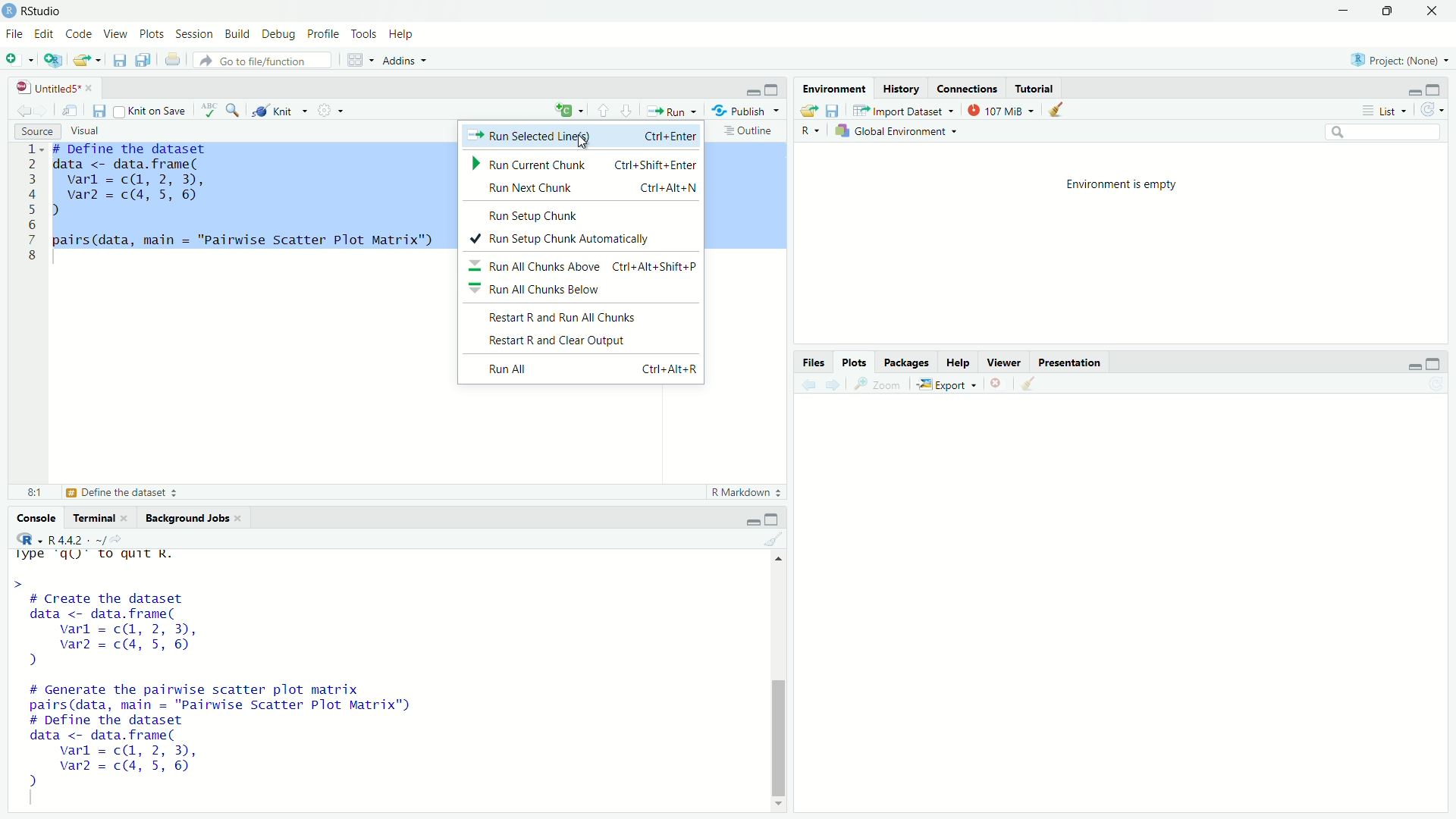 Image resolution: width=1456 pixels, height=819 pixels. Describe the element at coordinates (56, 88) in the screenshot. I see `Untitled5*` at that location.